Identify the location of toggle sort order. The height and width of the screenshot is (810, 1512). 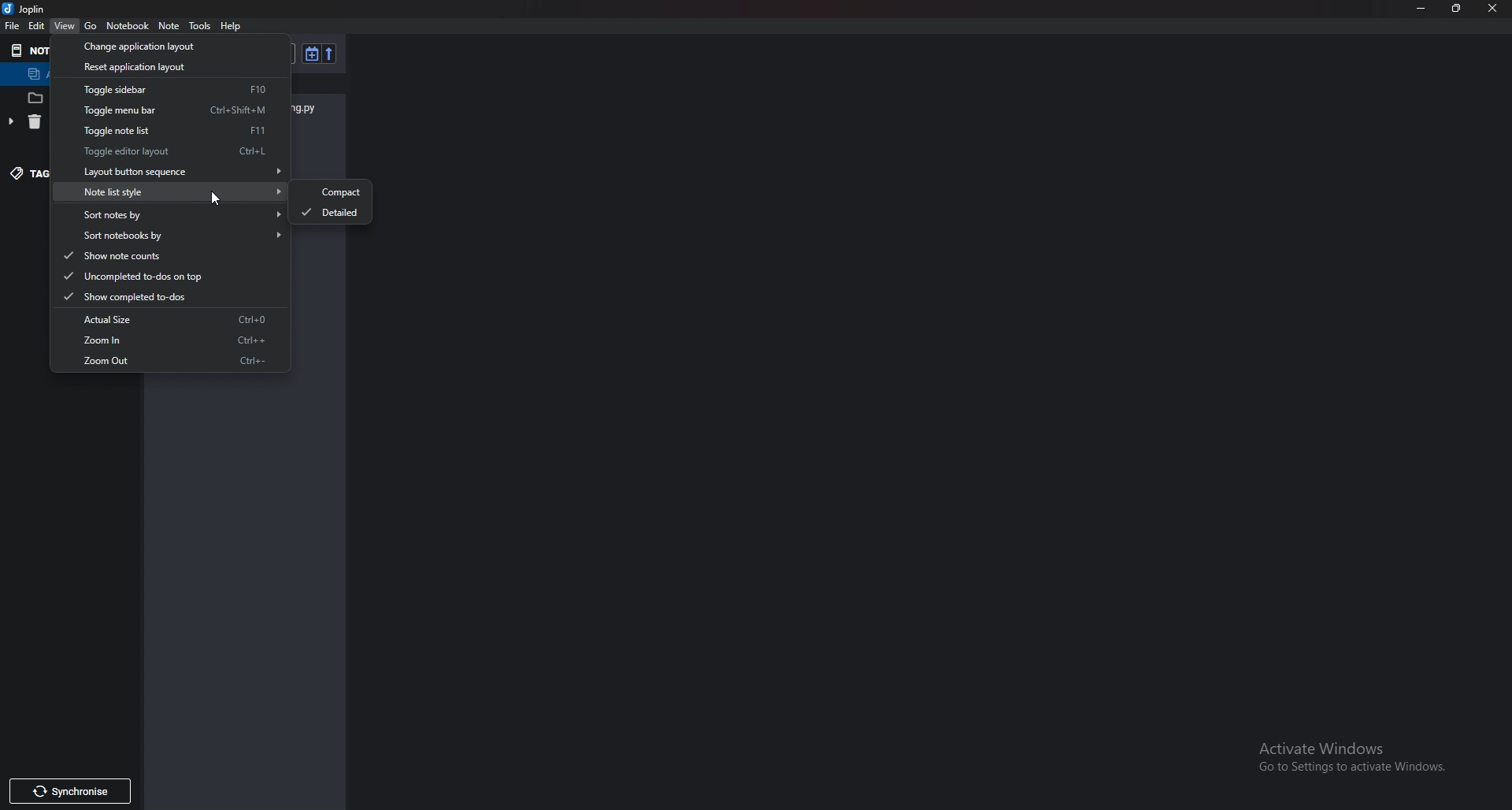
(311, 54).